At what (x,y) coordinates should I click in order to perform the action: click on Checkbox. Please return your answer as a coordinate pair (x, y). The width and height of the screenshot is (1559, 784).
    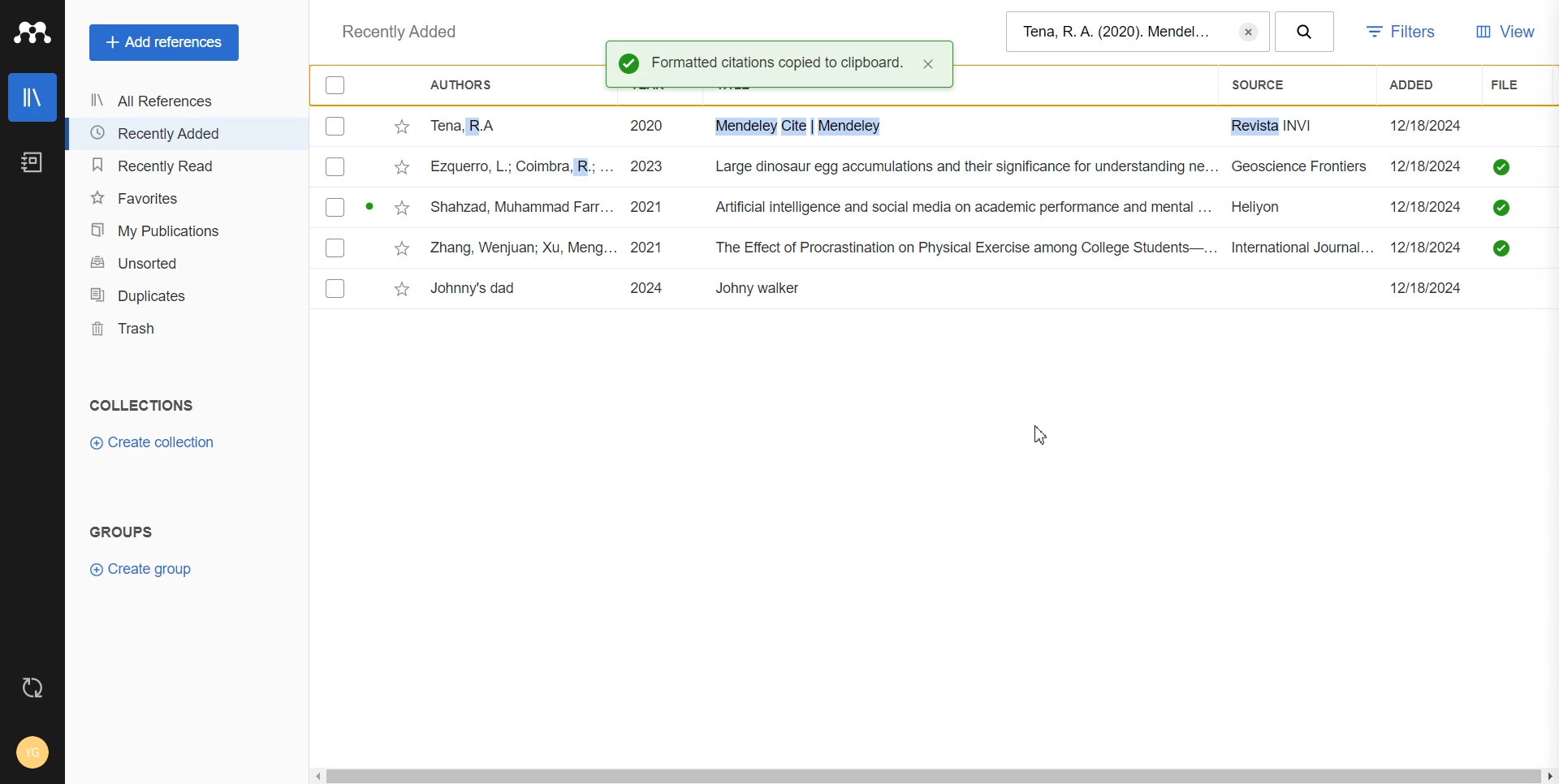
    Looking at the image, I should click on (335, 84).